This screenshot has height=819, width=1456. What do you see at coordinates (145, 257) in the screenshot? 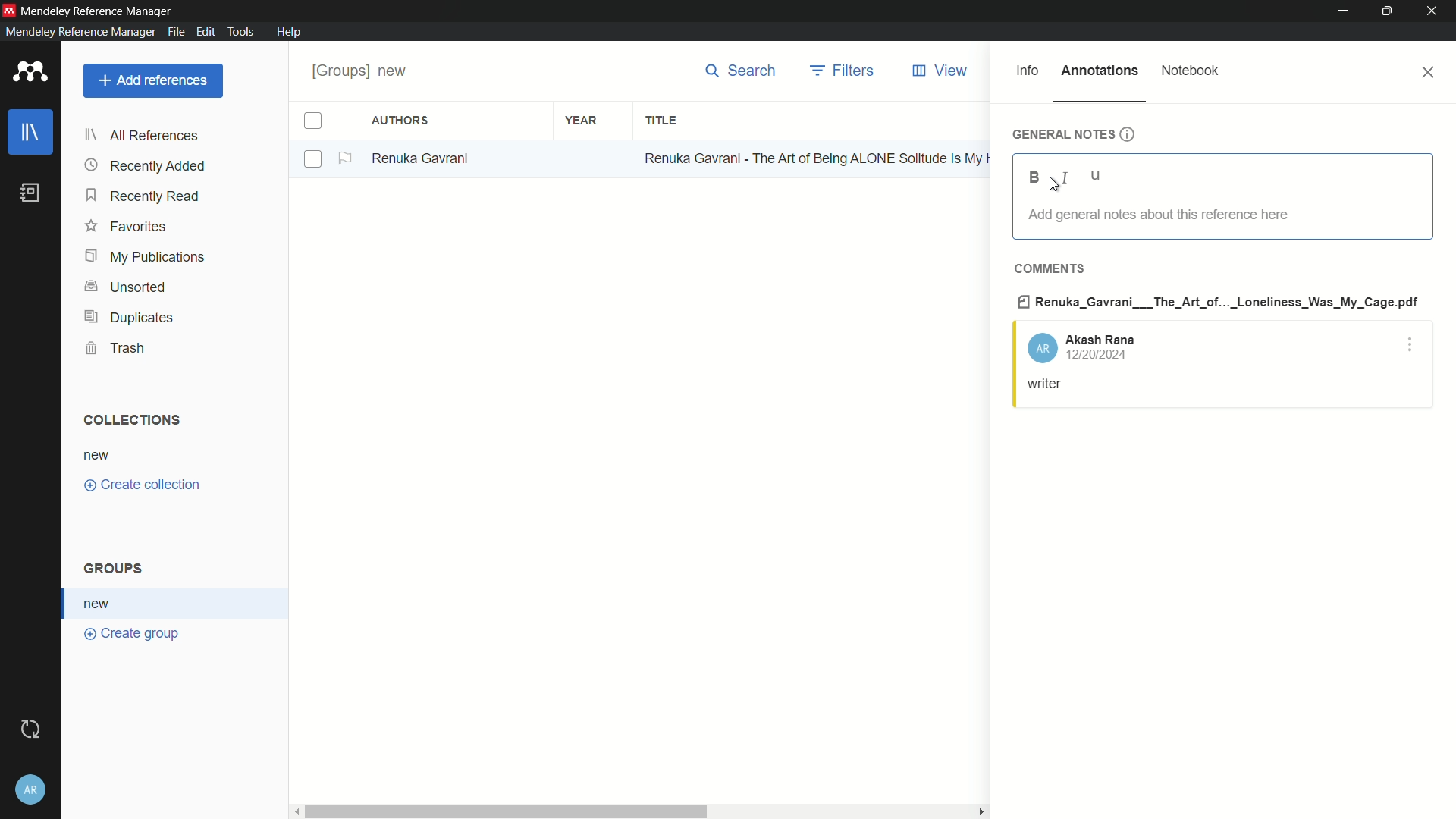
I see `my publications` at bounding box center [145, 257].